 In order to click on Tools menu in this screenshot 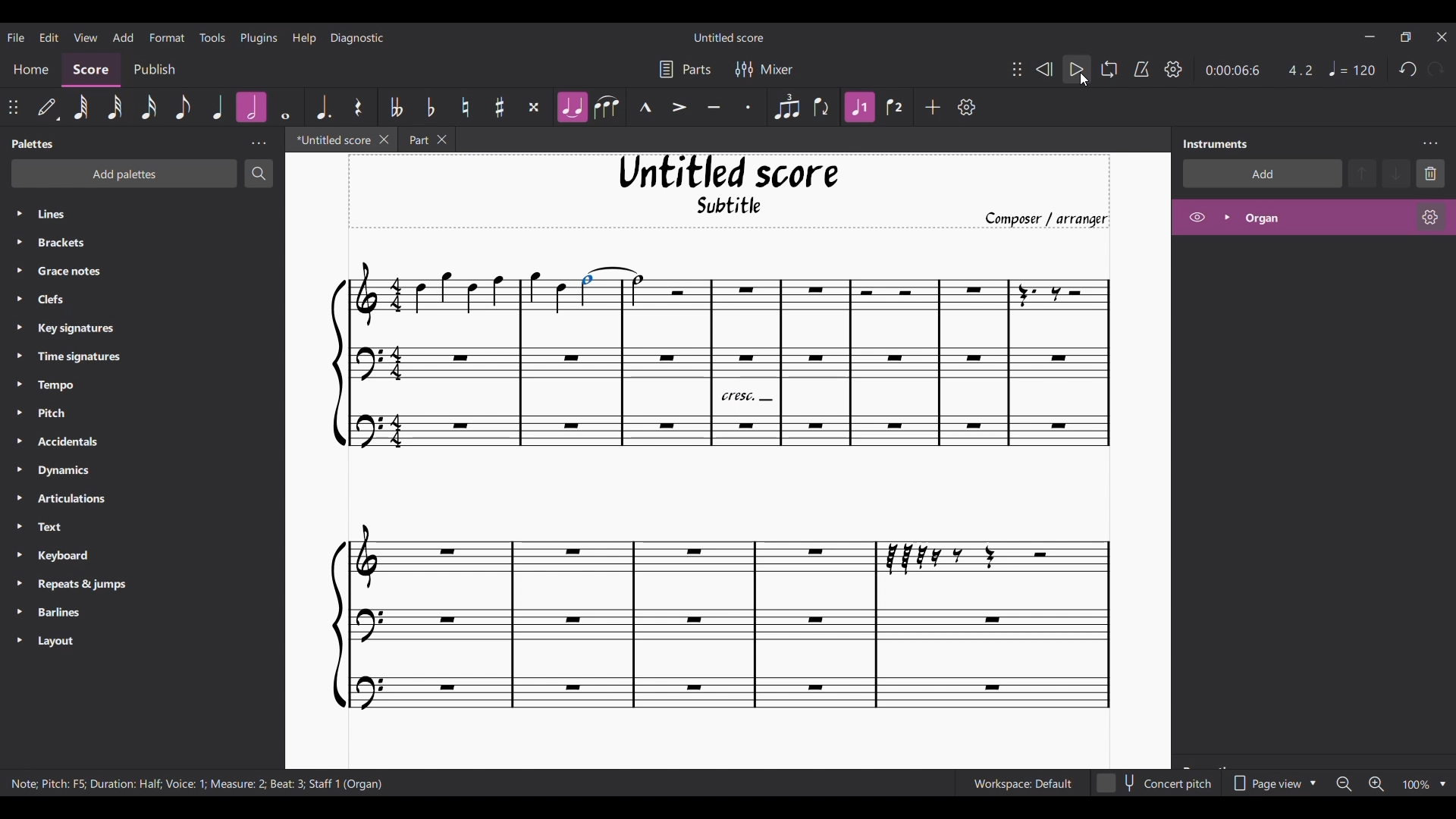, I will do `click(212, 36)`.